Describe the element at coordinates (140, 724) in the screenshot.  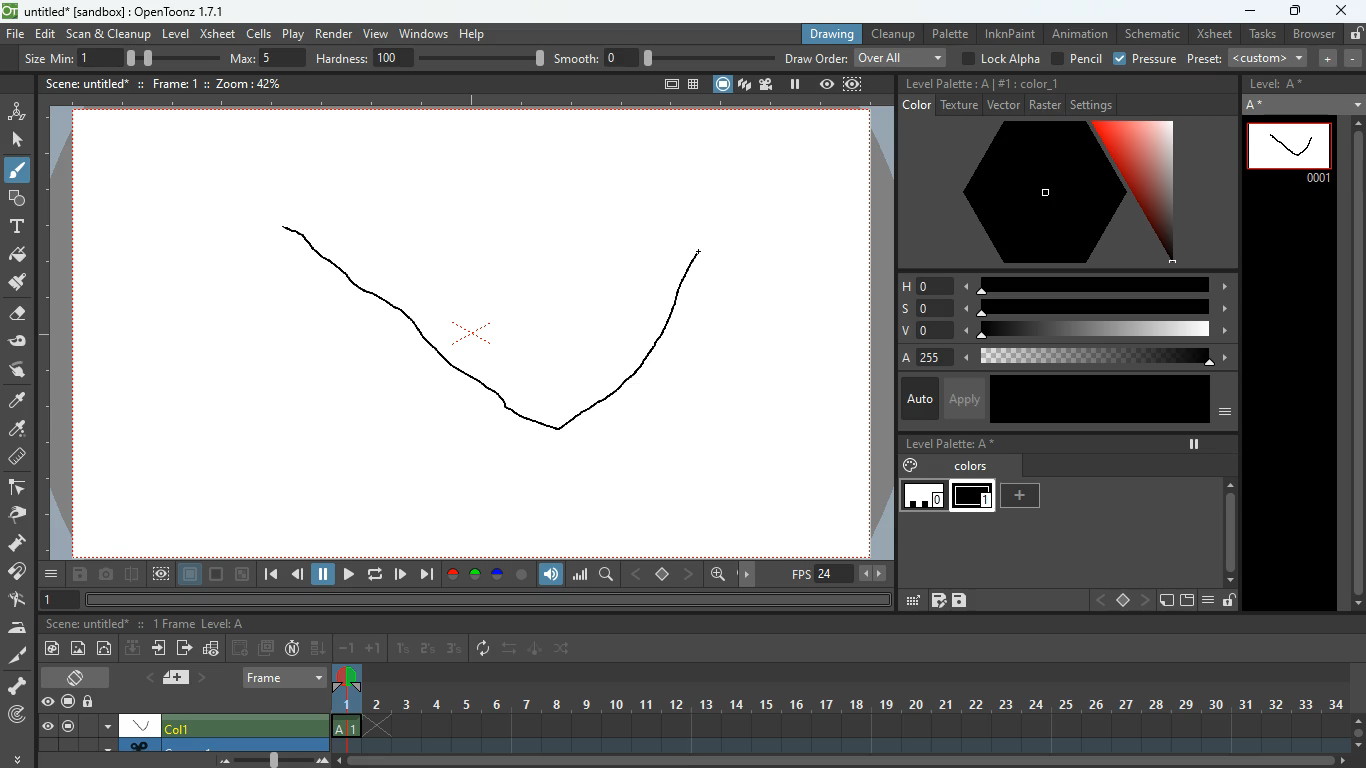
I see `display` at that location.